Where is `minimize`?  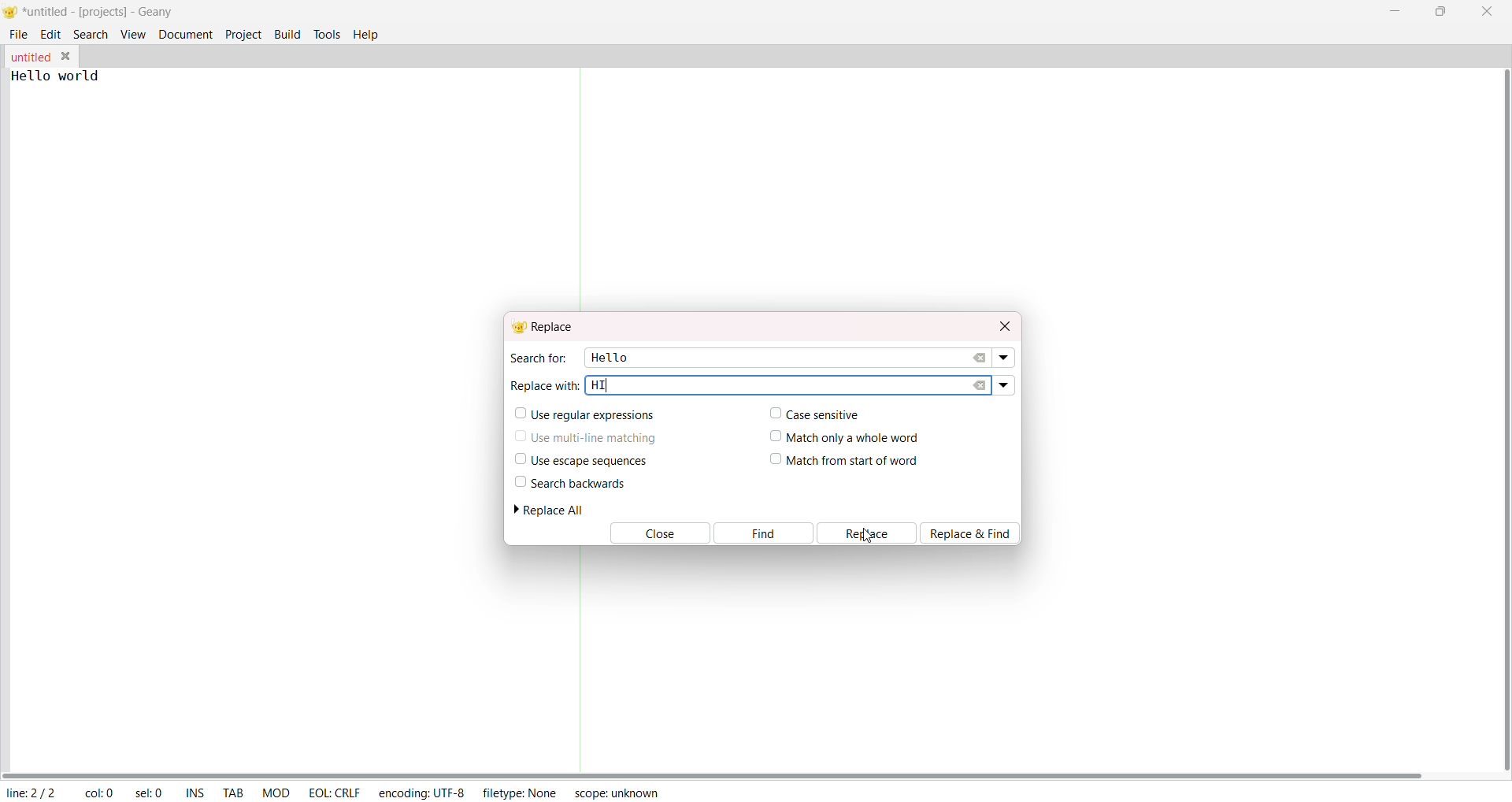
minimize is located at coordinates (1399, 9).